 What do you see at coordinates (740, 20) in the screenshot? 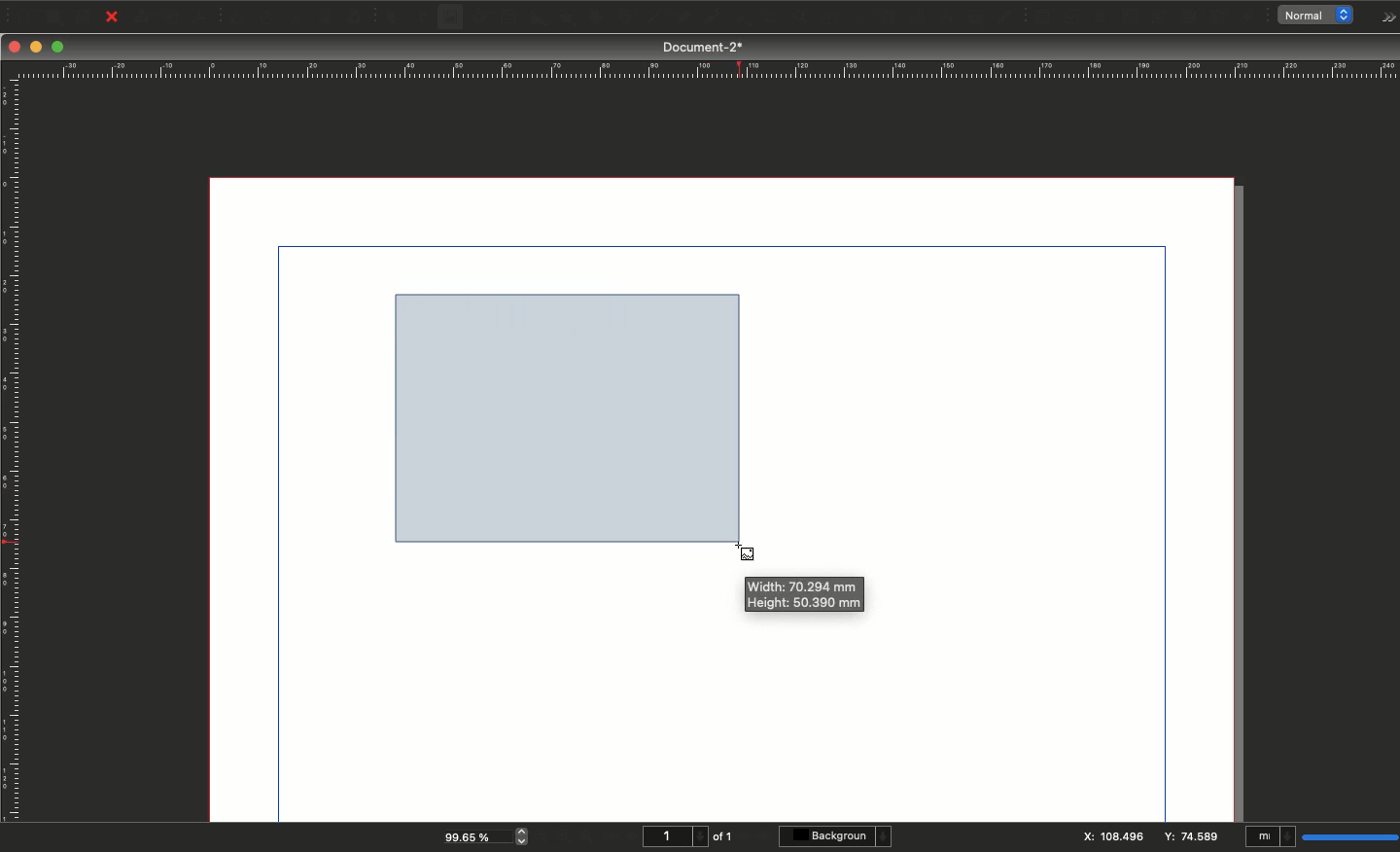
I see `Rotate item` at bounding box center [740, 20].